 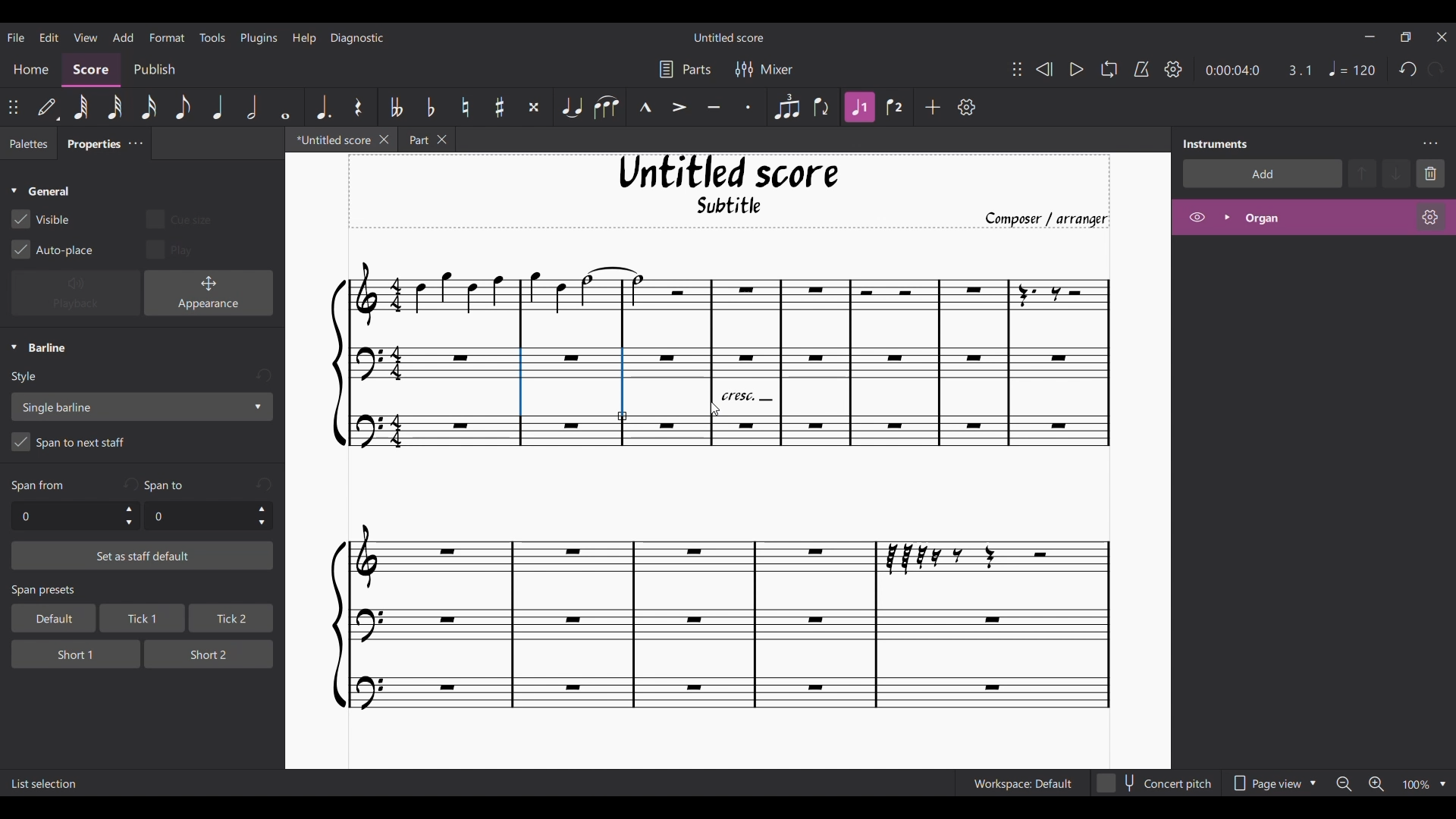 What do you see at coordinates (1415, 786) in the screenshot?
I see `Current zoom factor` at bounding box center [1415, 786].